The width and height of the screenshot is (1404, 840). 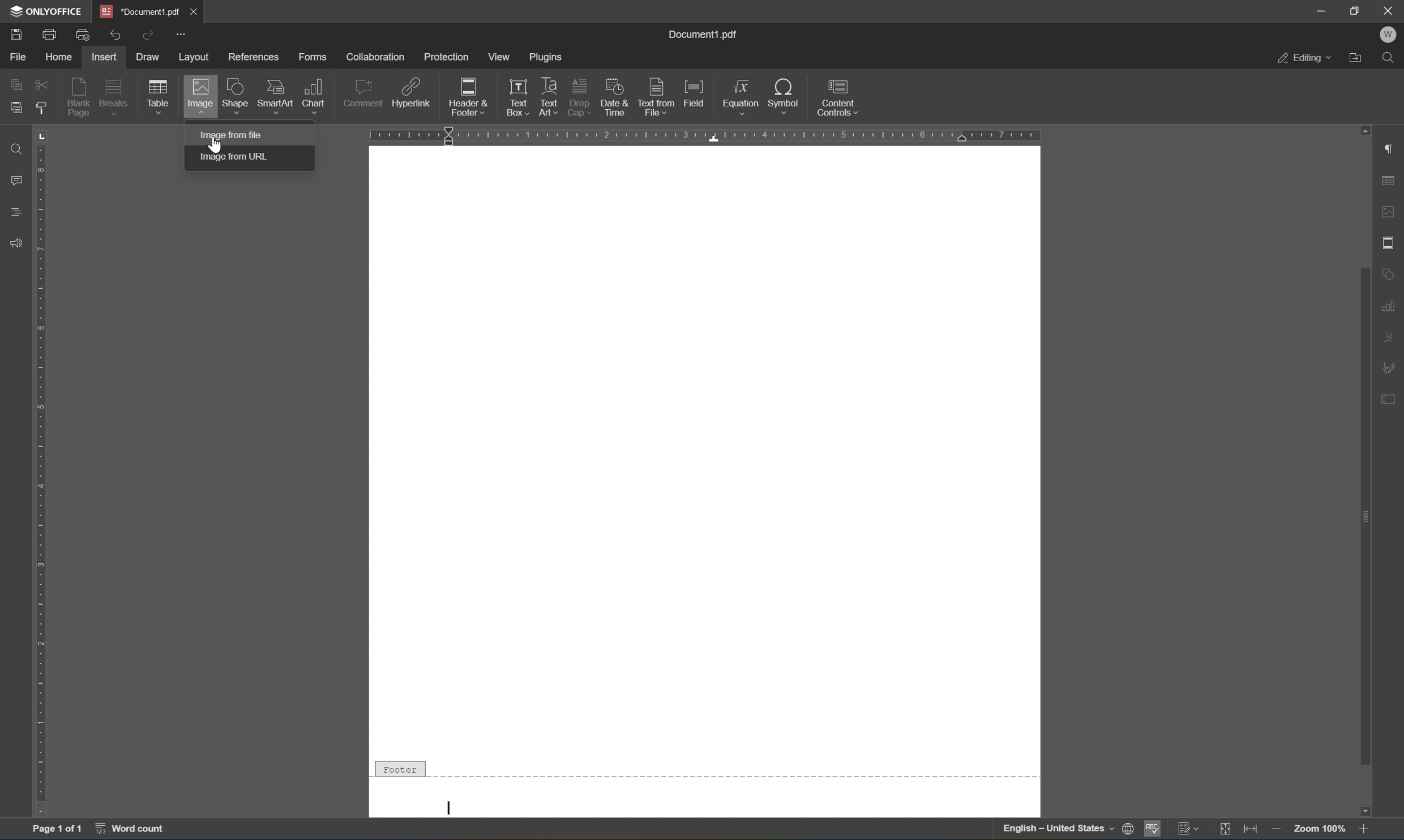 What do you see at coordinates (1367, 830) in the screenshot?
I see `zoom in` at bounding box center [1367, 830].